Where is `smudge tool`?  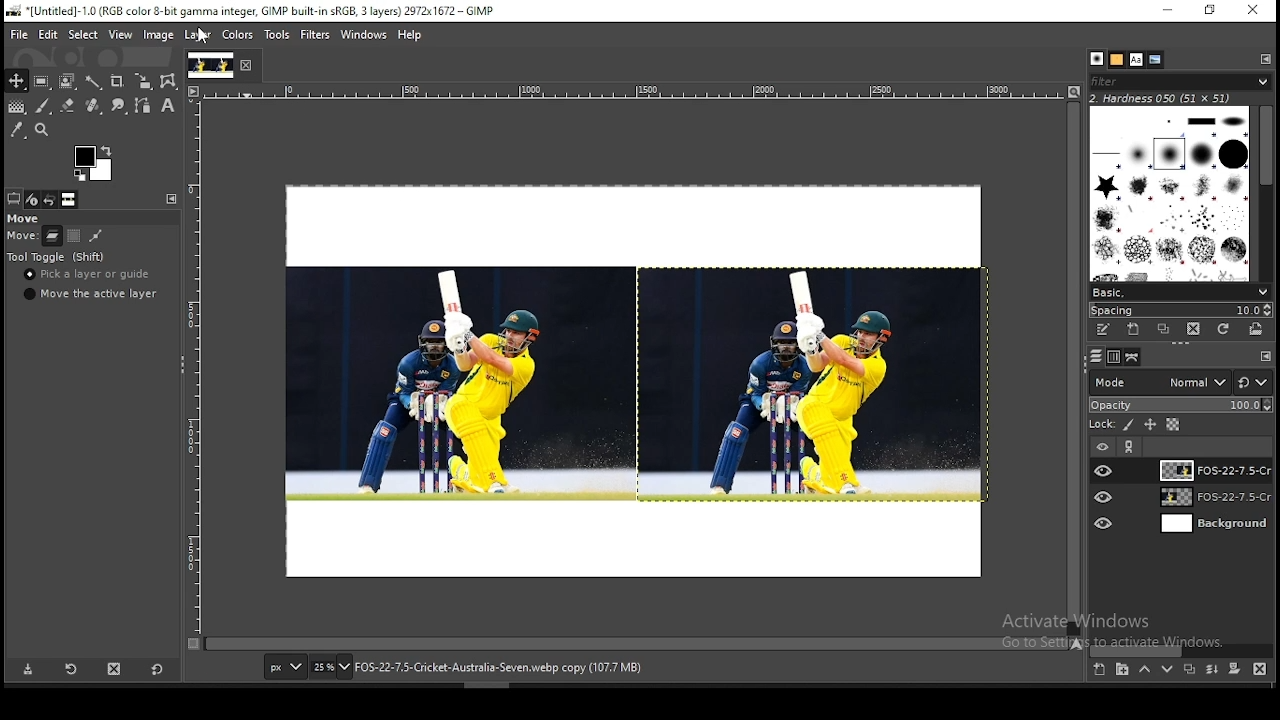
smudge tool is located at coordinates (116, 106).